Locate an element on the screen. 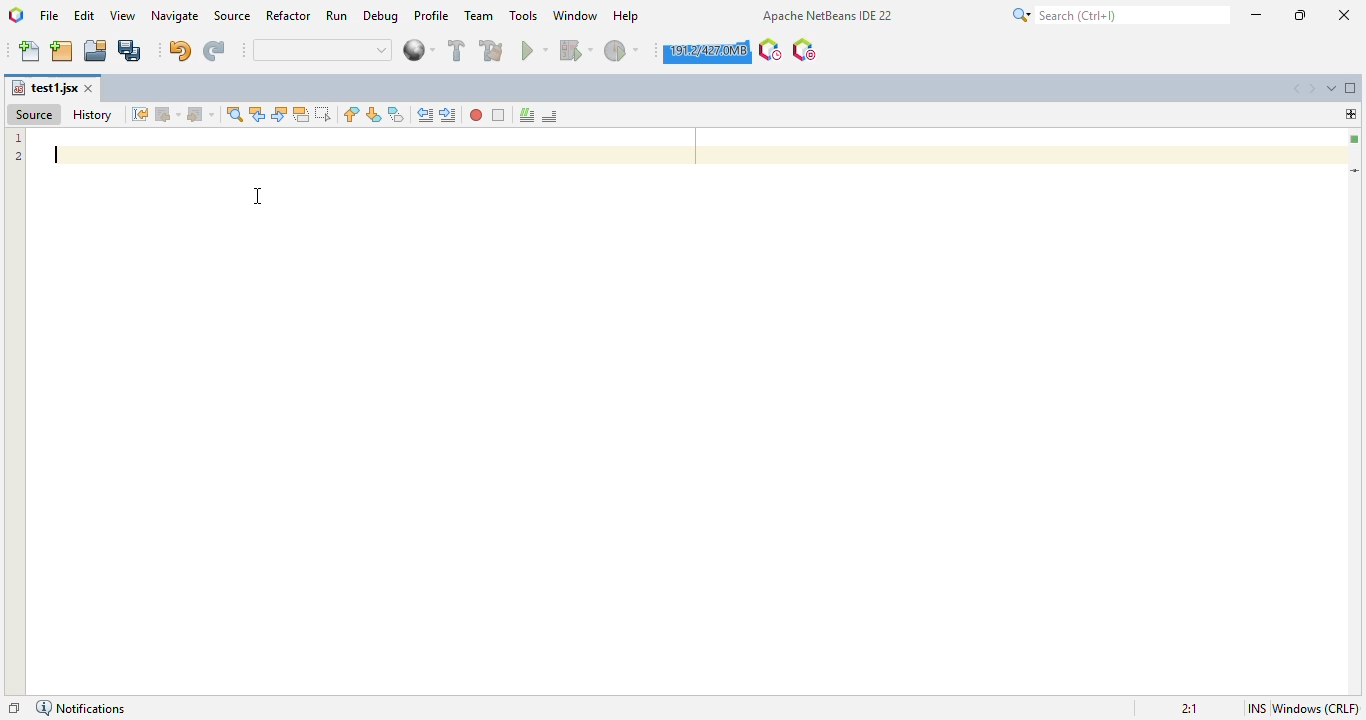 The width and height of the screenshot is (1366, 720). find selection is located at coordinates (235, 114).